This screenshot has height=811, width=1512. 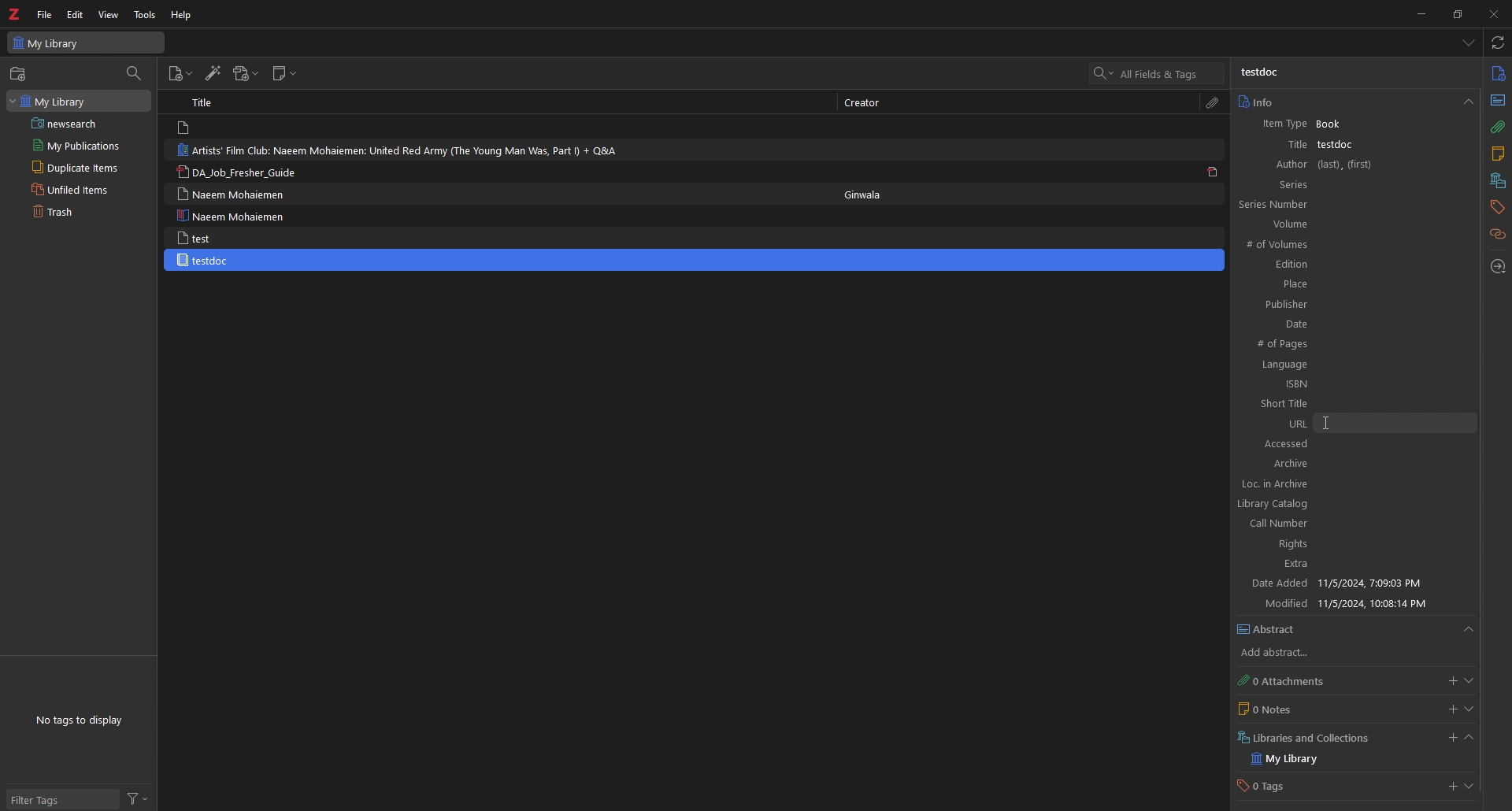 I want to click on add items, so click(x=180, y=73).